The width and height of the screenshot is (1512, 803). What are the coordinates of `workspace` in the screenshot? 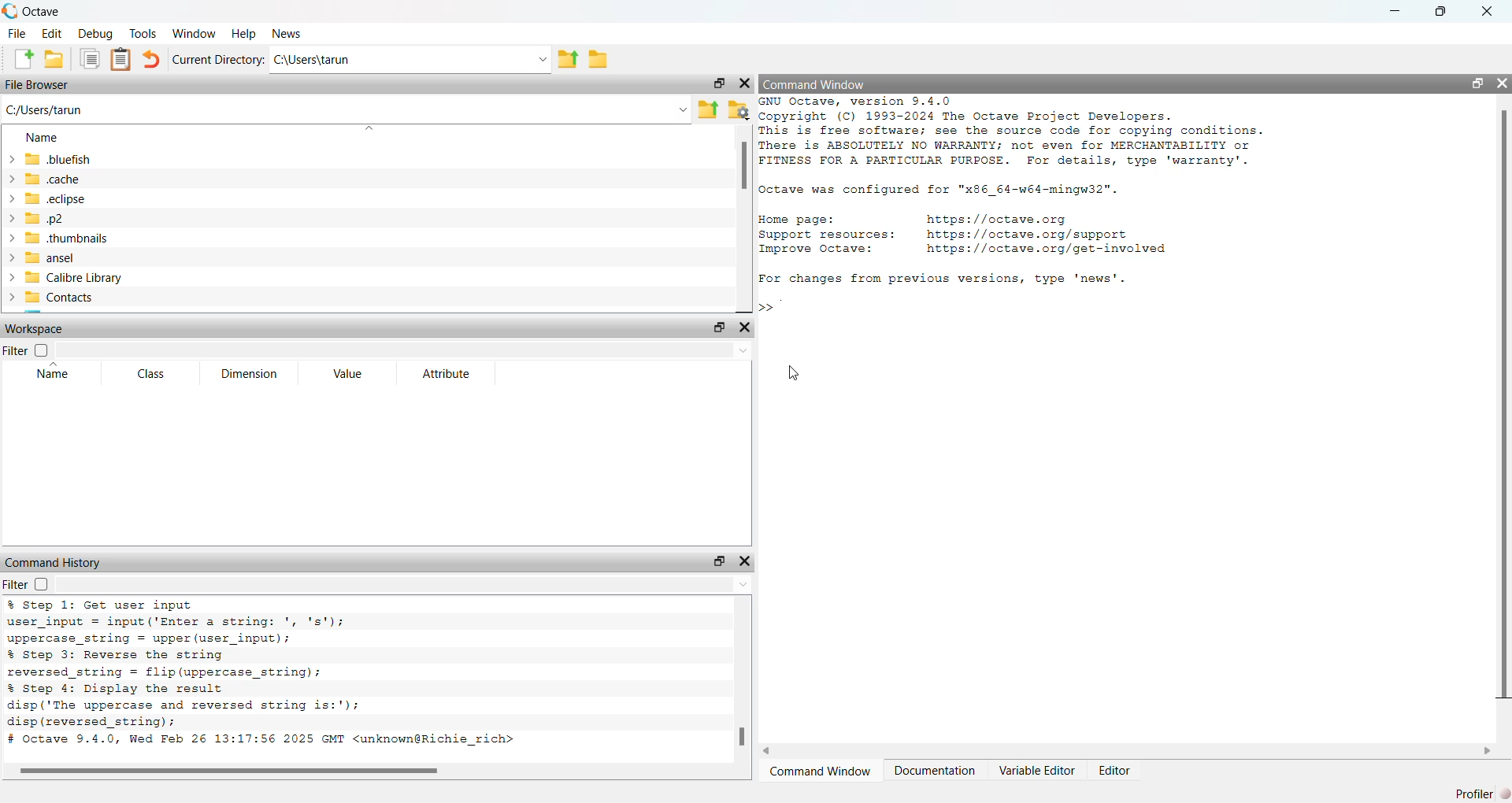 It's located at (37, 331).